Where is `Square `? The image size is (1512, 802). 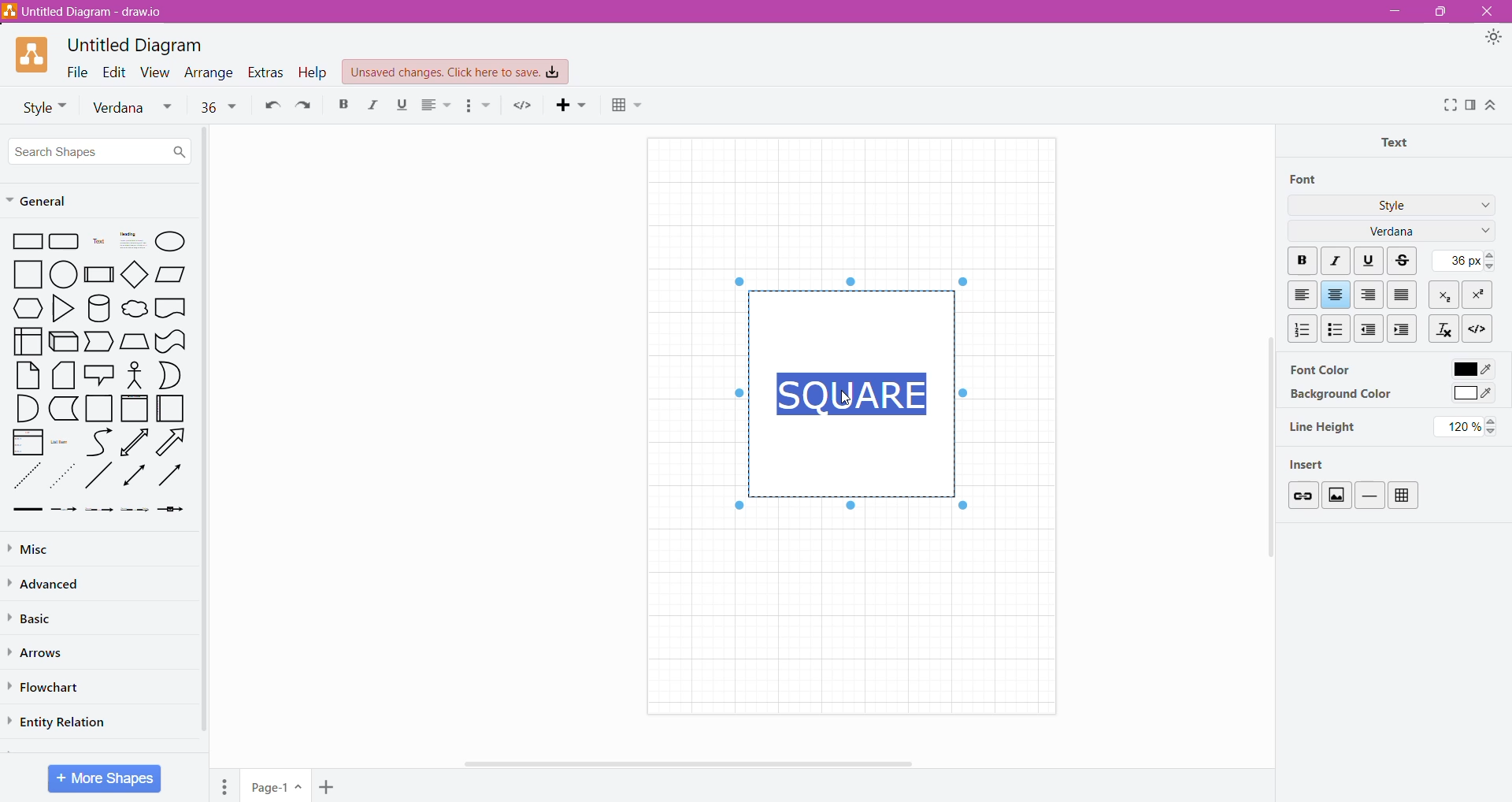
Square  is located at coordinates (98, 408).